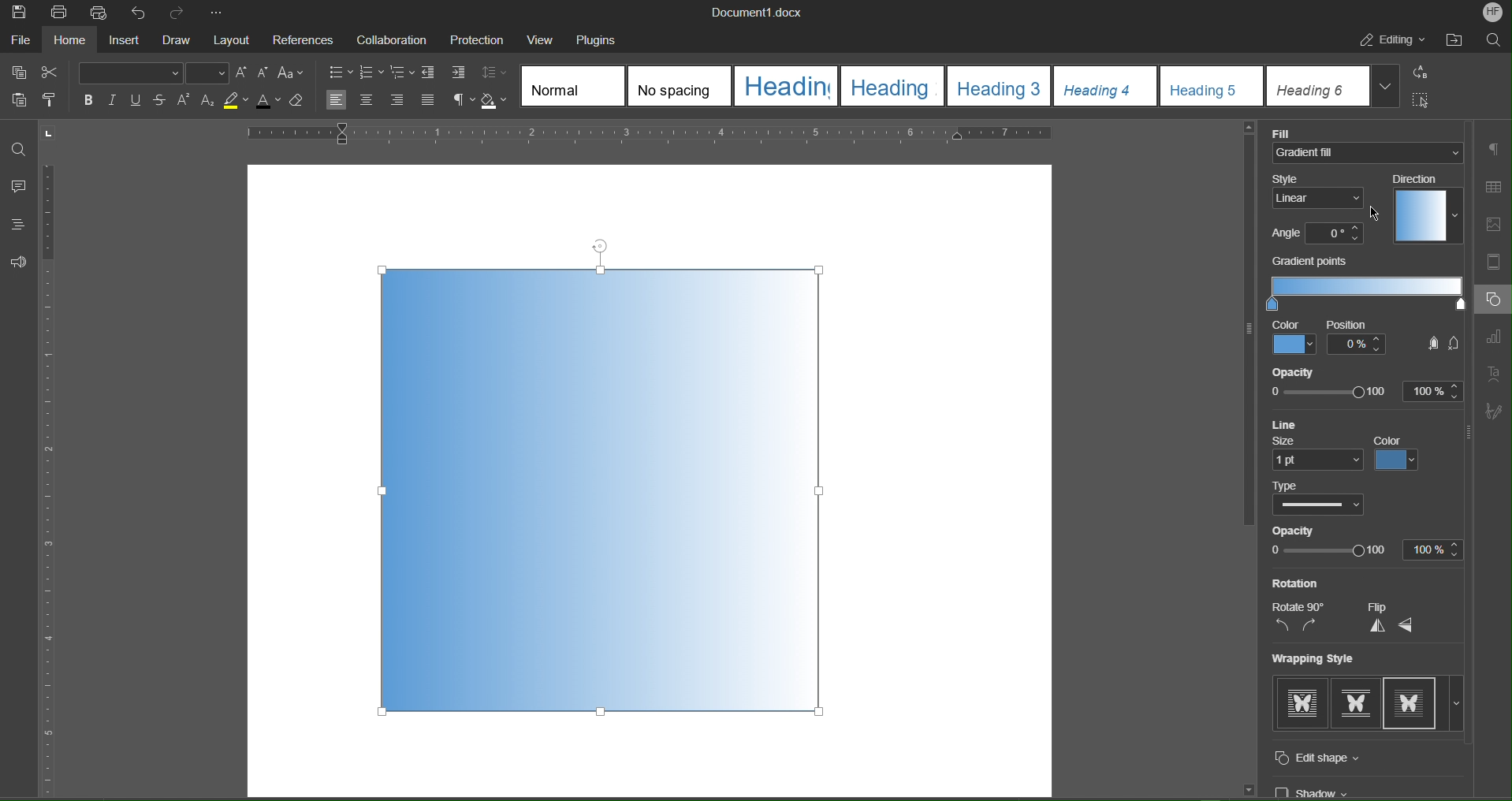 The height and width of the screenshot is (801, 1512). I want to click on 0 100, so click(1331, 389).